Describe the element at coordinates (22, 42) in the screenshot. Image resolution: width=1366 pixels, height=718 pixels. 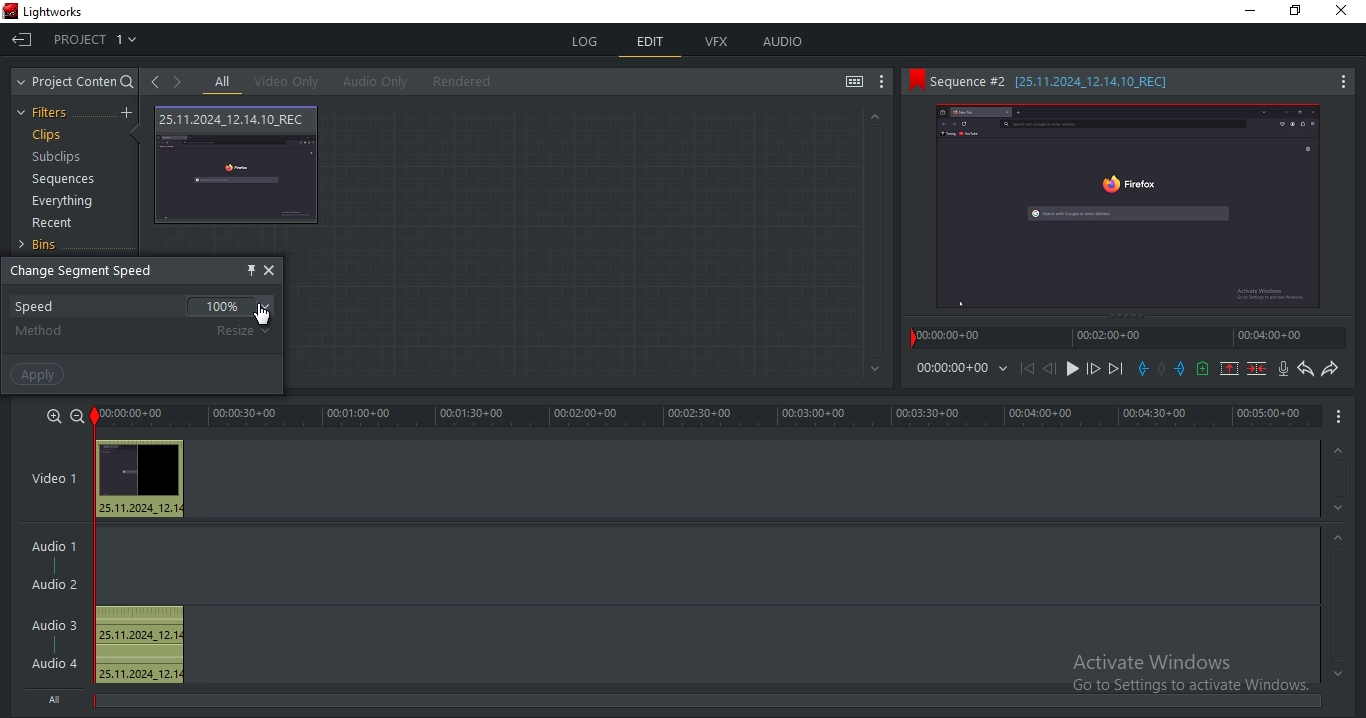
I see `exit project and return to project browser` at that location.